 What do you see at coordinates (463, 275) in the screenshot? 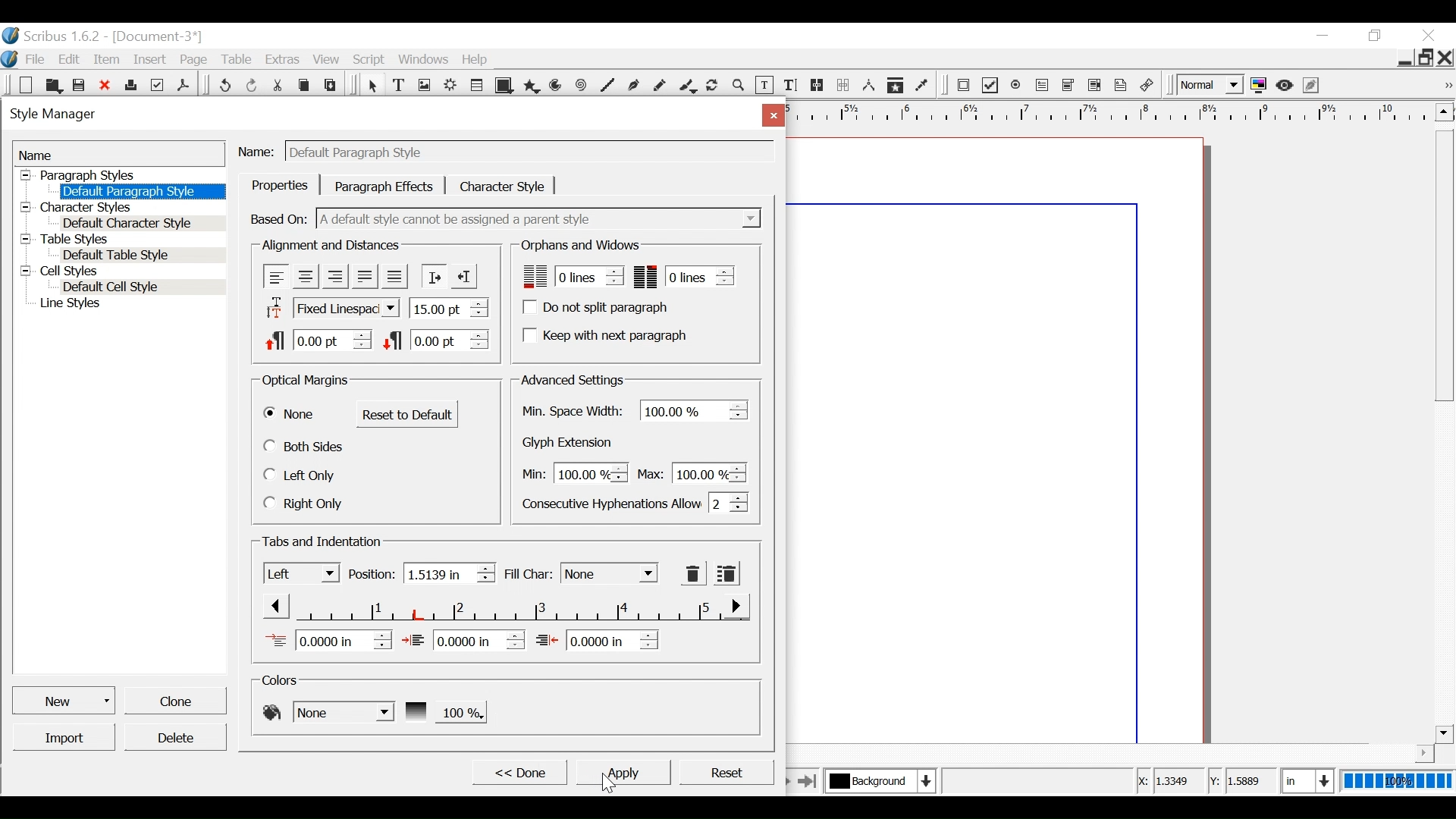
I see `Push Indent to the left` at bounding box center [463, 275].